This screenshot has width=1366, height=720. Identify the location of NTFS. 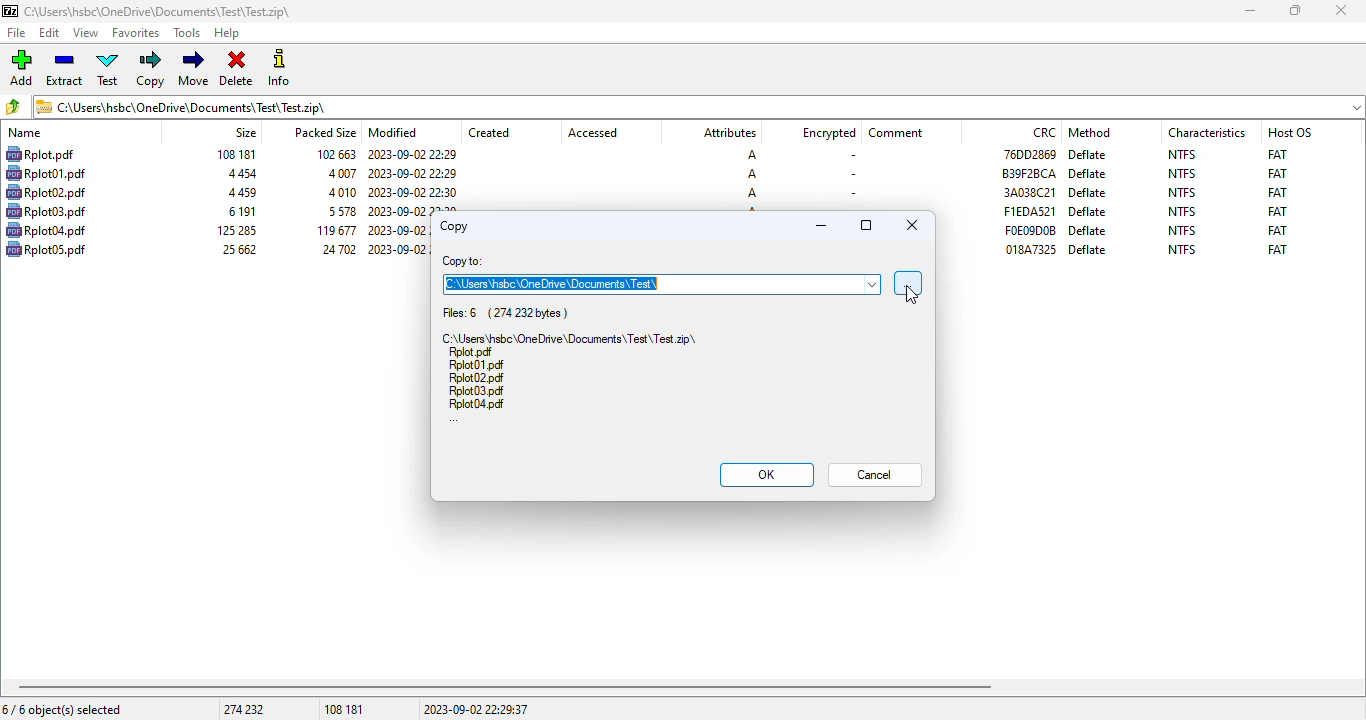
(1182, 192).